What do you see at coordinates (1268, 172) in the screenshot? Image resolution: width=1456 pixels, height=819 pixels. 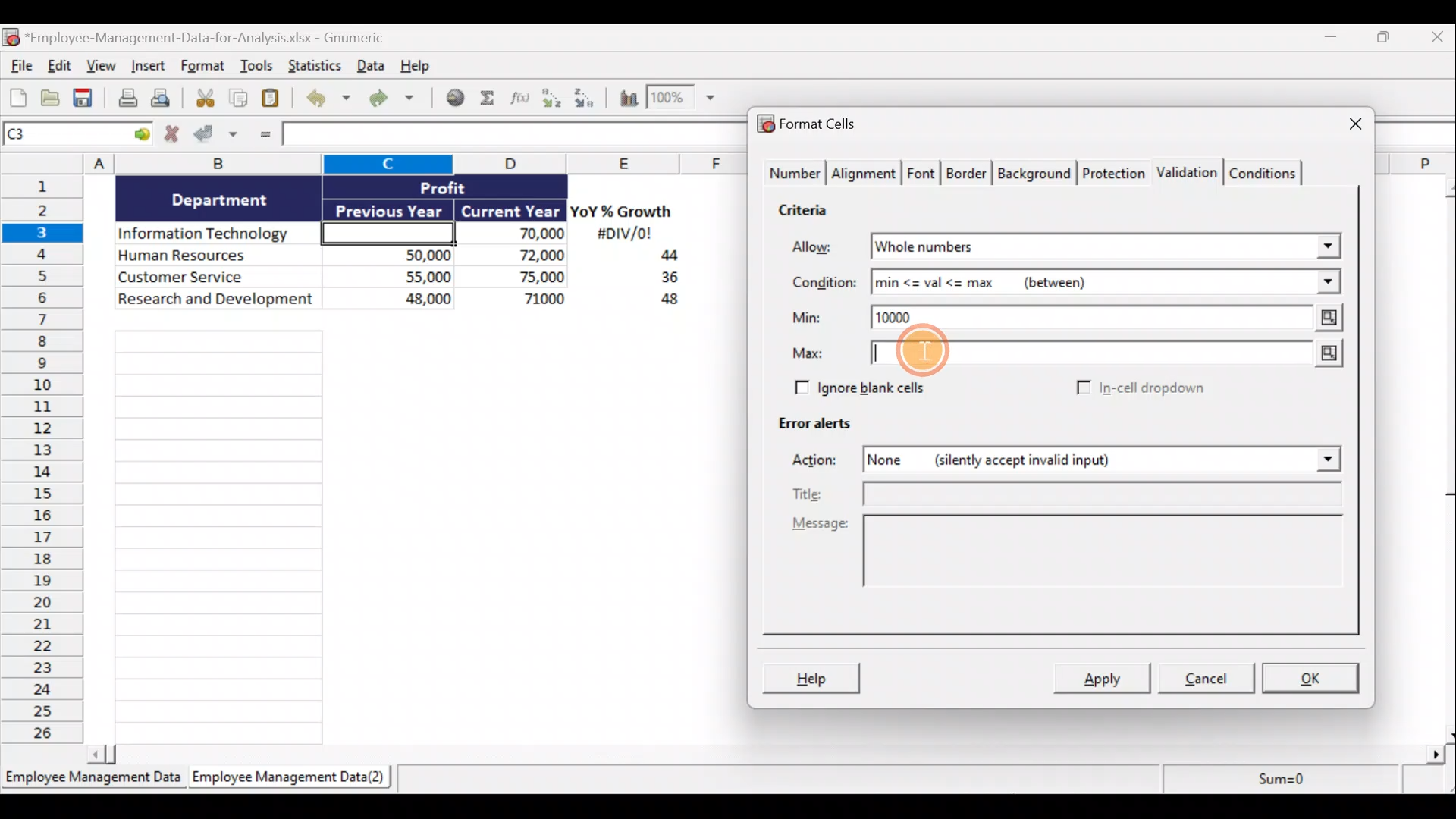 I see `Conditions` at bounding box center [1268, 172].